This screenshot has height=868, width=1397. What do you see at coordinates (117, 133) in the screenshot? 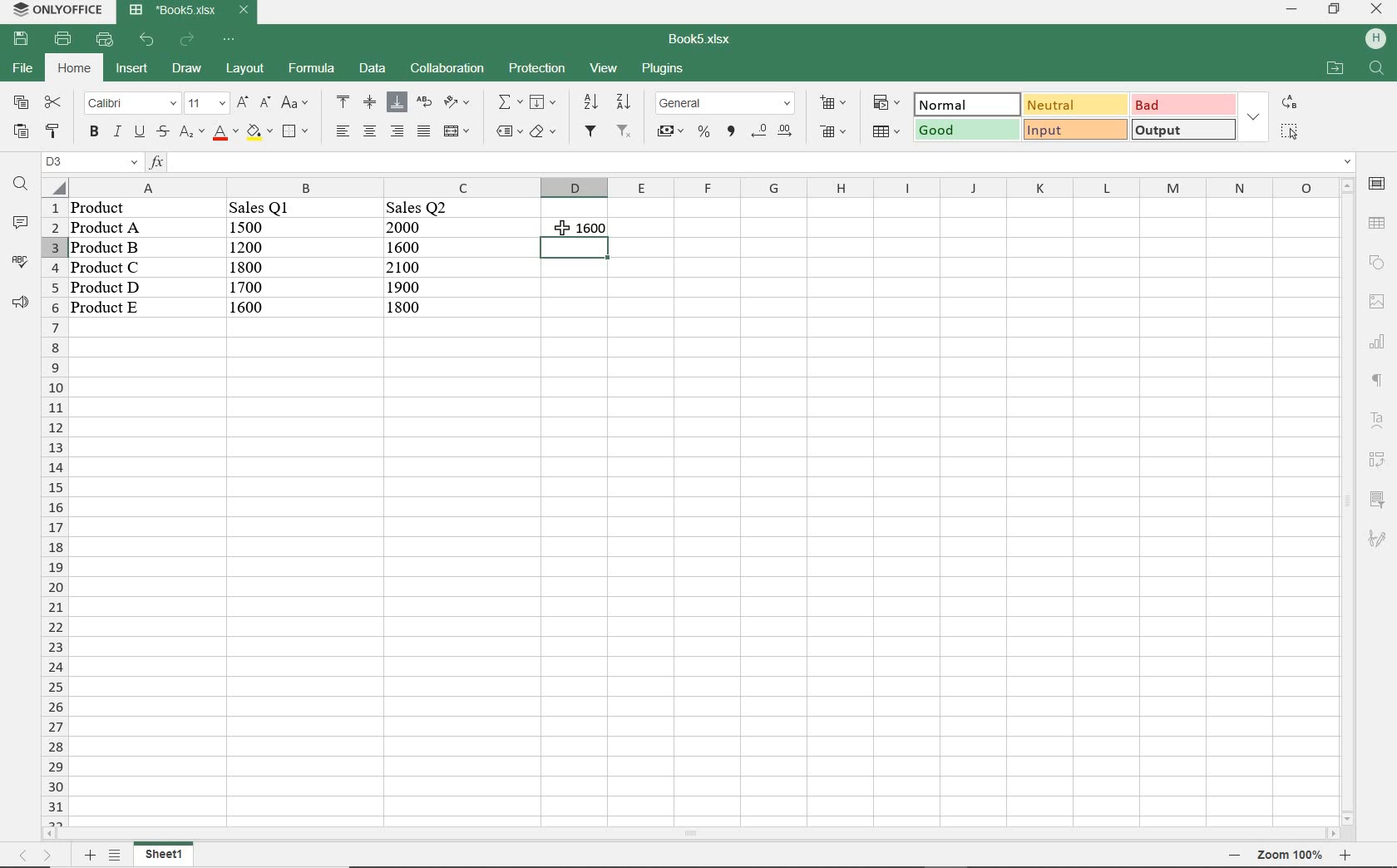
I see `italic` at bounding box center [117, 133].